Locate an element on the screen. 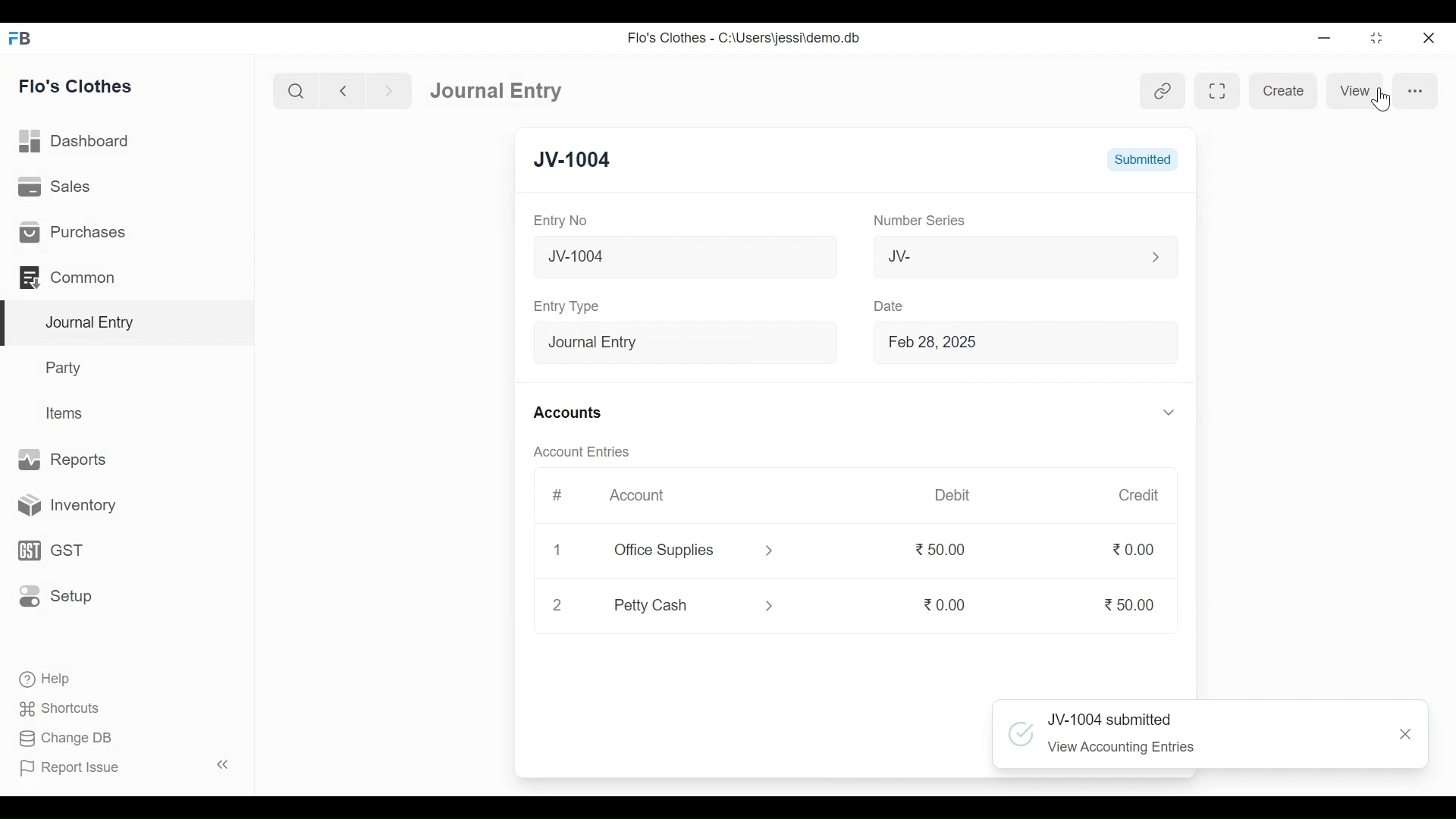  minimize is located at coordinates (1324, 39).